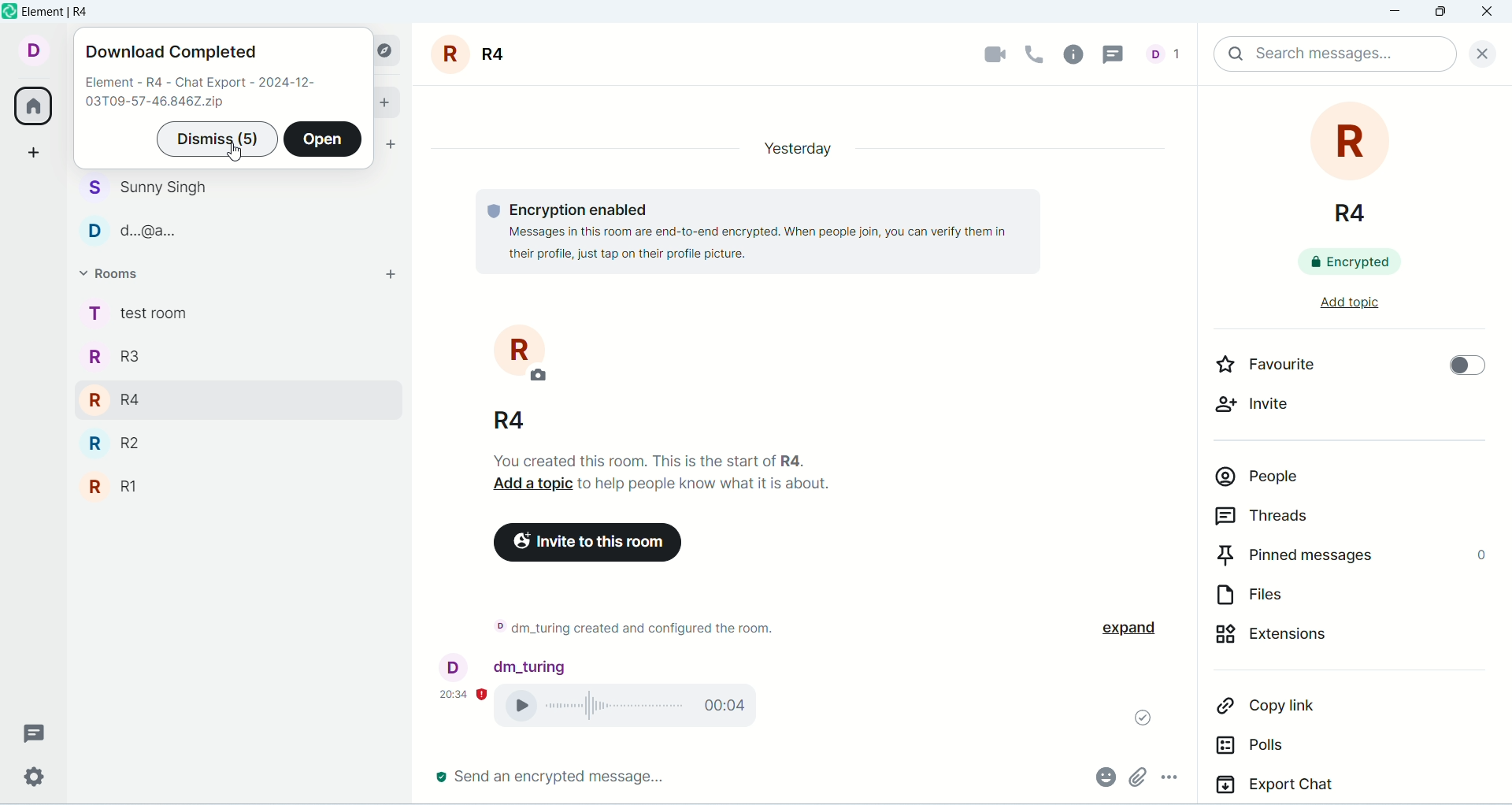  What do you see at coordinates (324, 140) in the screenshot?
I see `open` at bounding box center [324, 140].